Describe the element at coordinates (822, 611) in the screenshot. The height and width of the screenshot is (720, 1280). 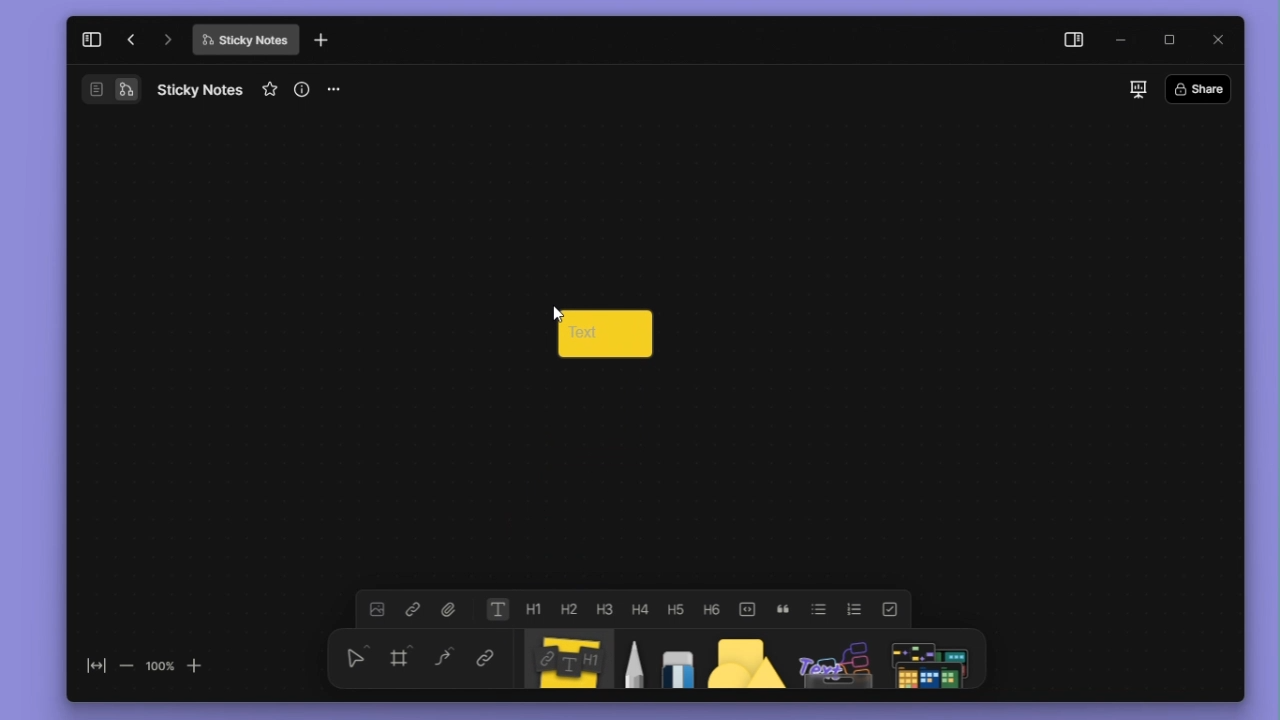
I see `bullet list` at that location.